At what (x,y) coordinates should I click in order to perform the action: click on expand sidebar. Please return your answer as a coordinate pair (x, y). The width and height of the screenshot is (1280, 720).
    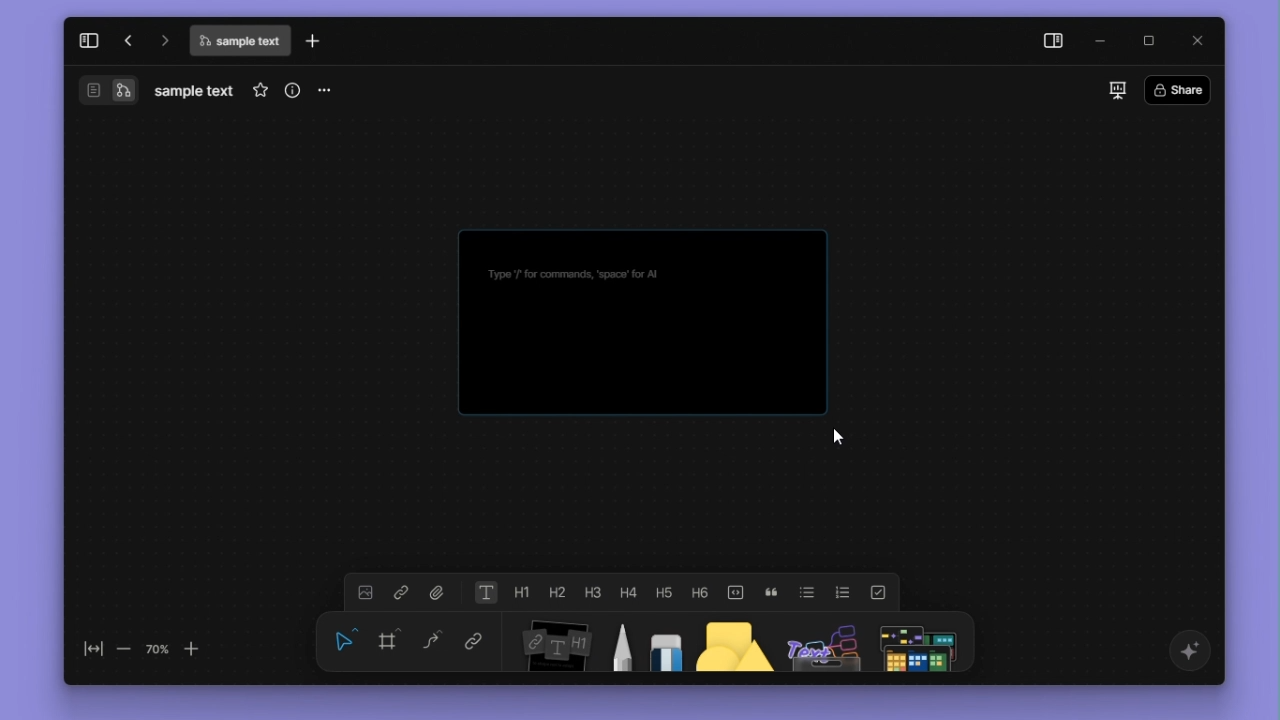
    Looking at the image, I should click on (87, 38).